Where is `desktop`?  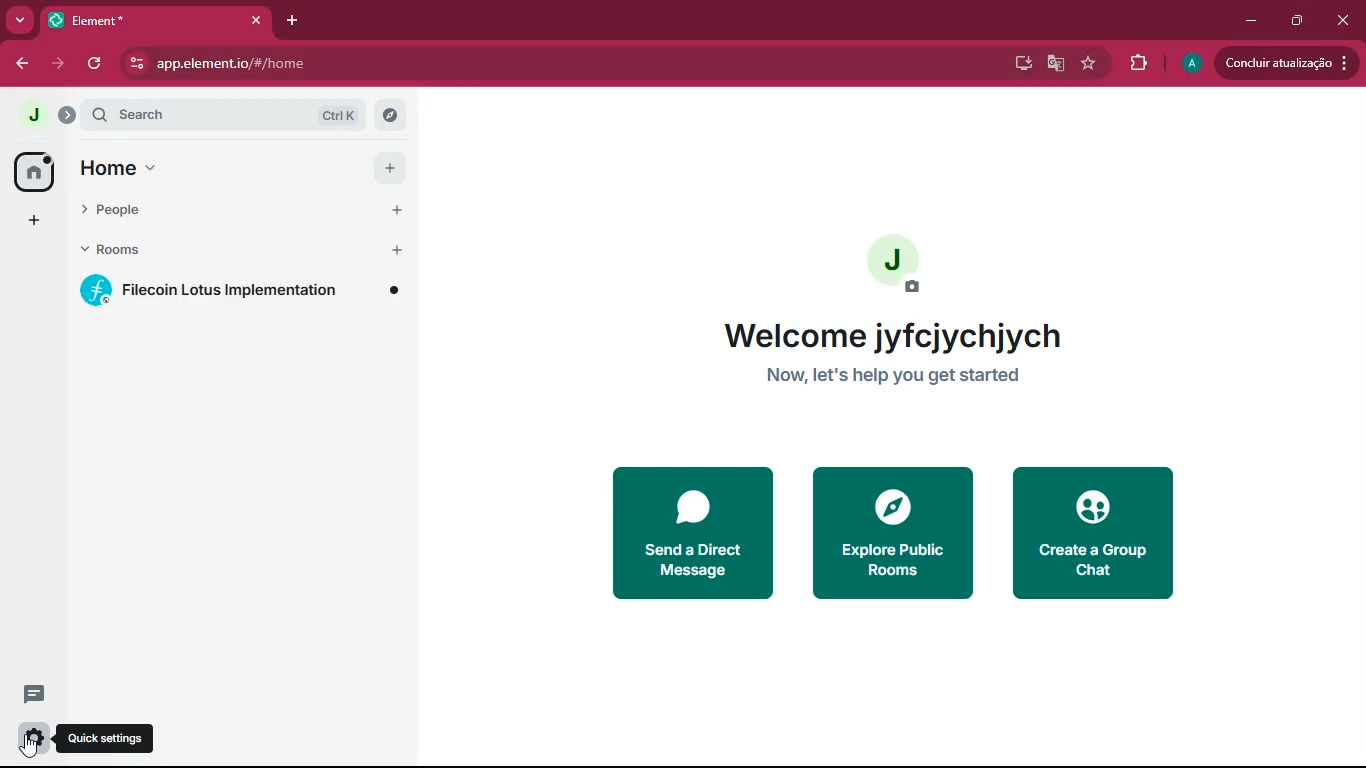 desktop is located at coordinates (1019, 64).